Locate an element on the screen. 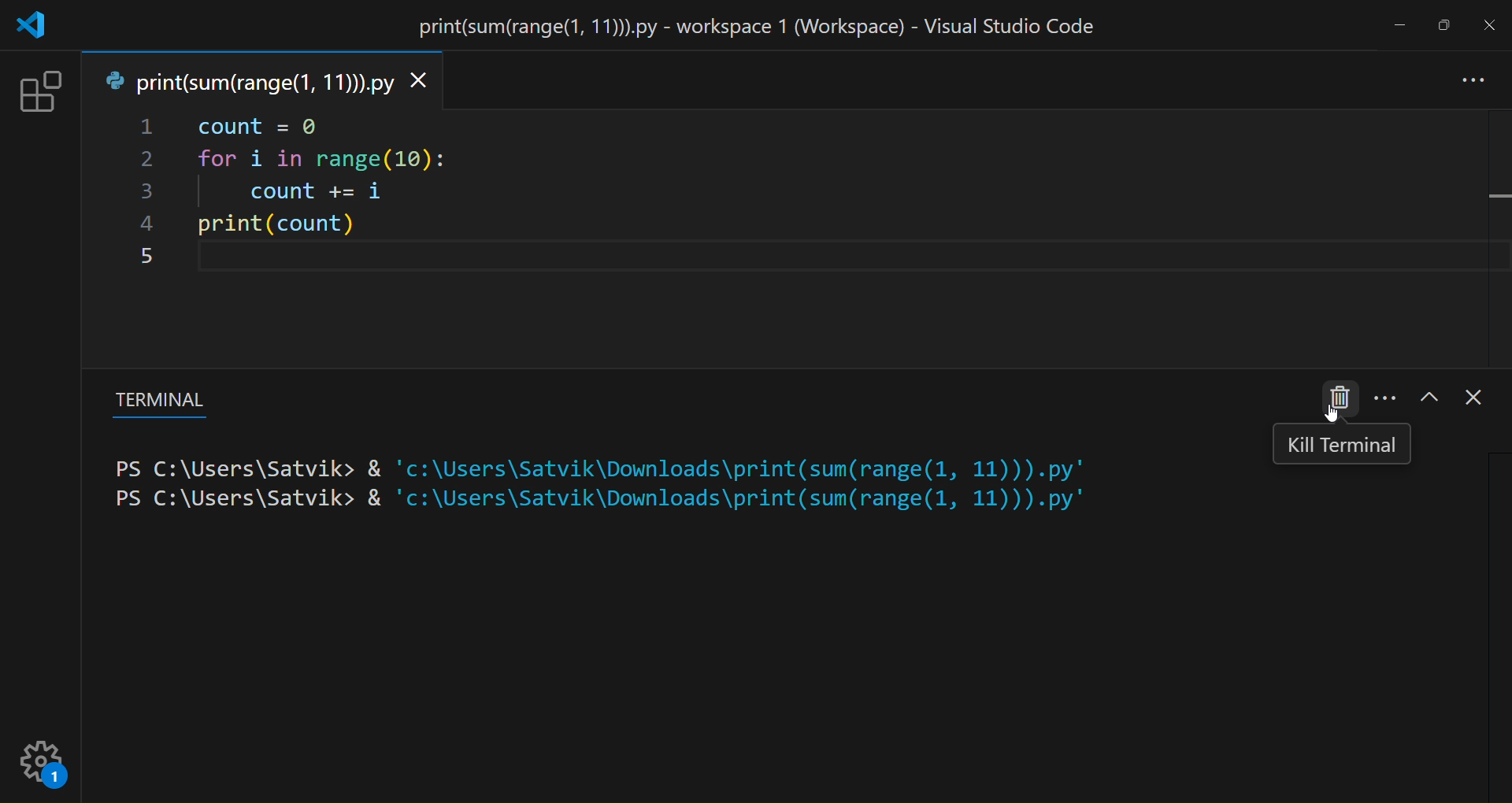  maximize panel is located at coordinates (1426, 397).